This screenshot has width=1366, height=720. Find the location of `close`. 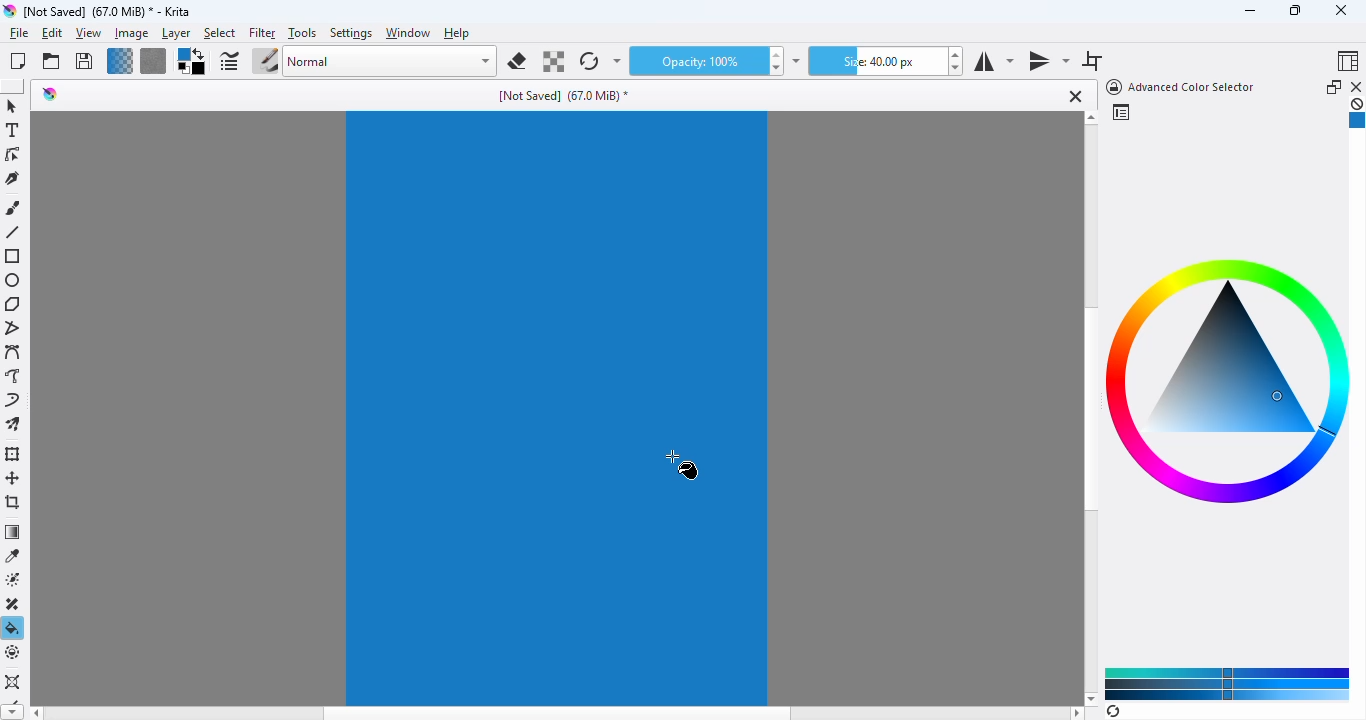

close is located at coordinates (1341, 10).